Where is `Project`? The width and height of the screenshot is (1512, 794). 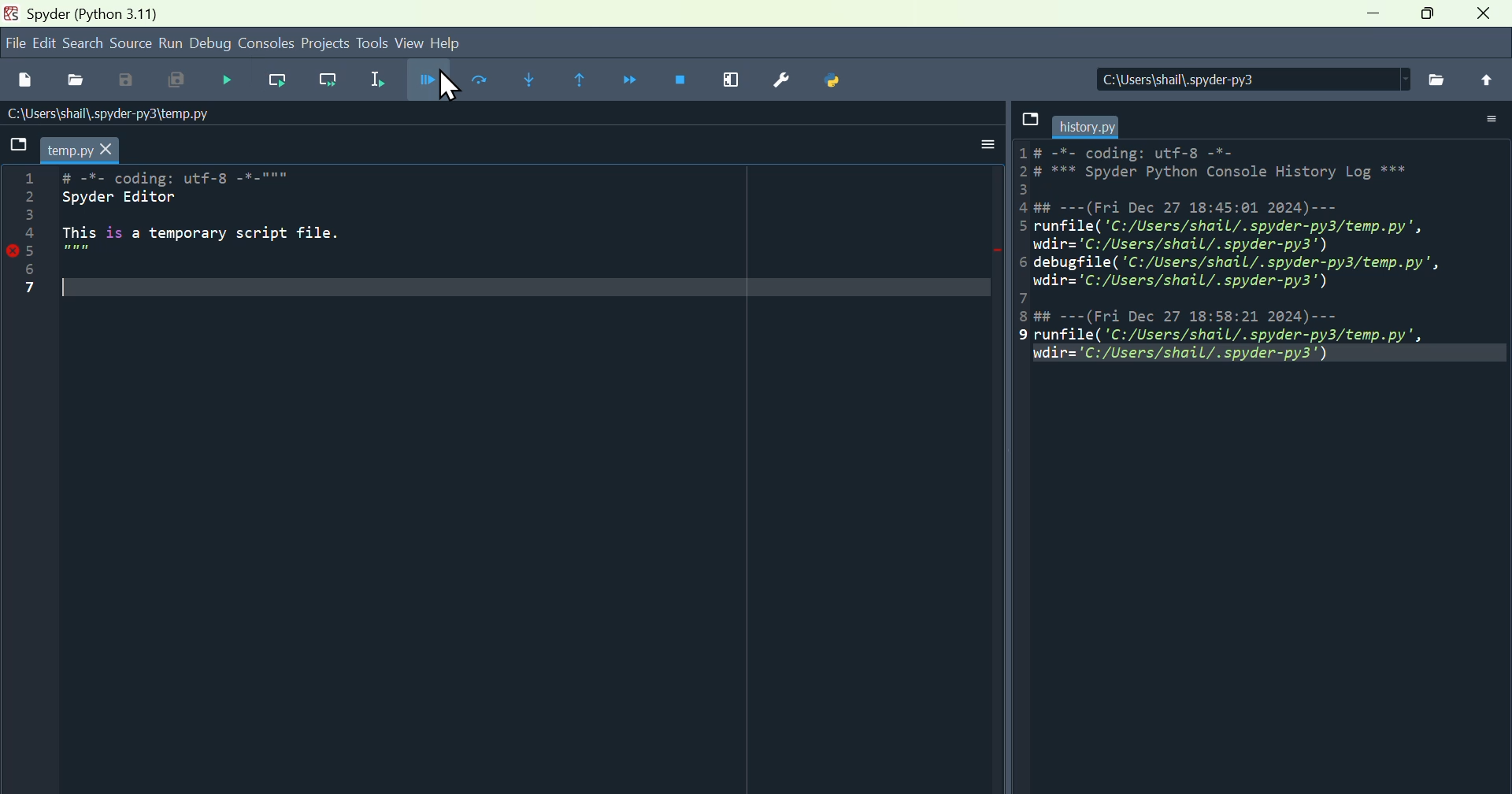
Project is located at coordinates (324, 43).